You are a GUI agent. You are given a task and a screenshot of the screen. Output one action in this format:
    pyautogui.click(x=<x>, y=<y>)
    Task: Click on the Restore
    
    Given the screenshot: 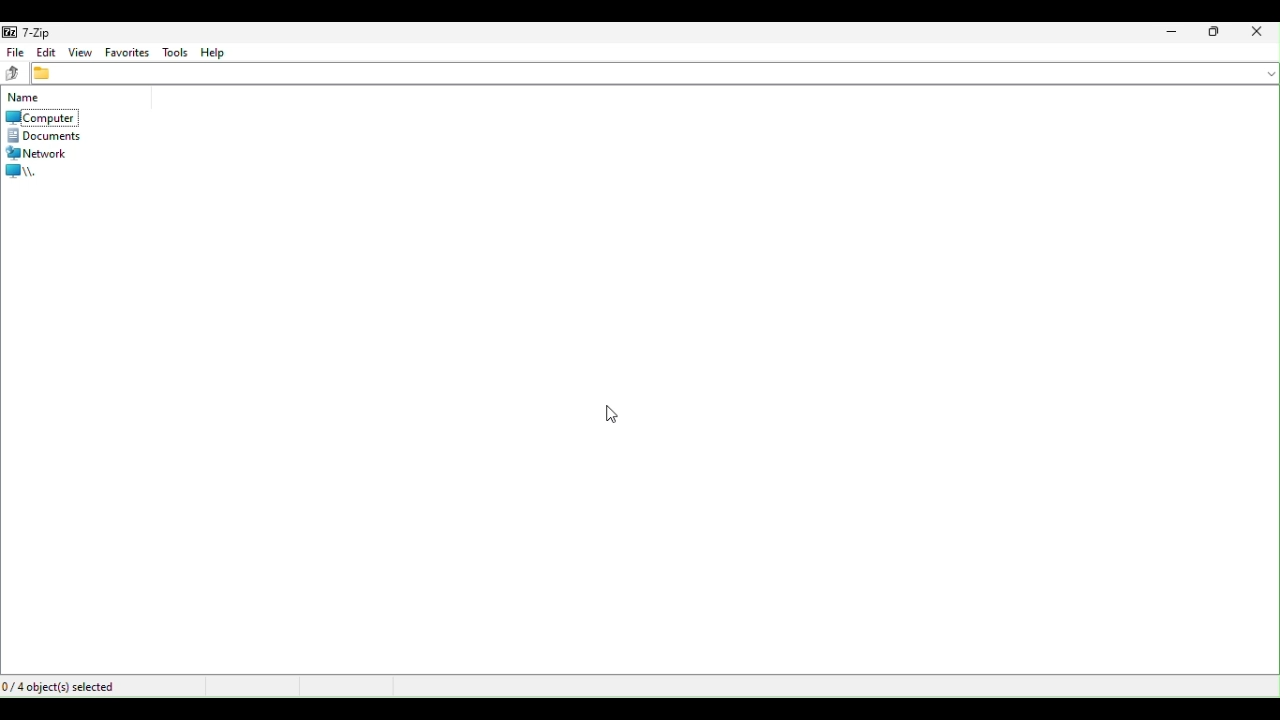 What is the action you would take?
    pyautogui.click(x=1217, y=32)
    